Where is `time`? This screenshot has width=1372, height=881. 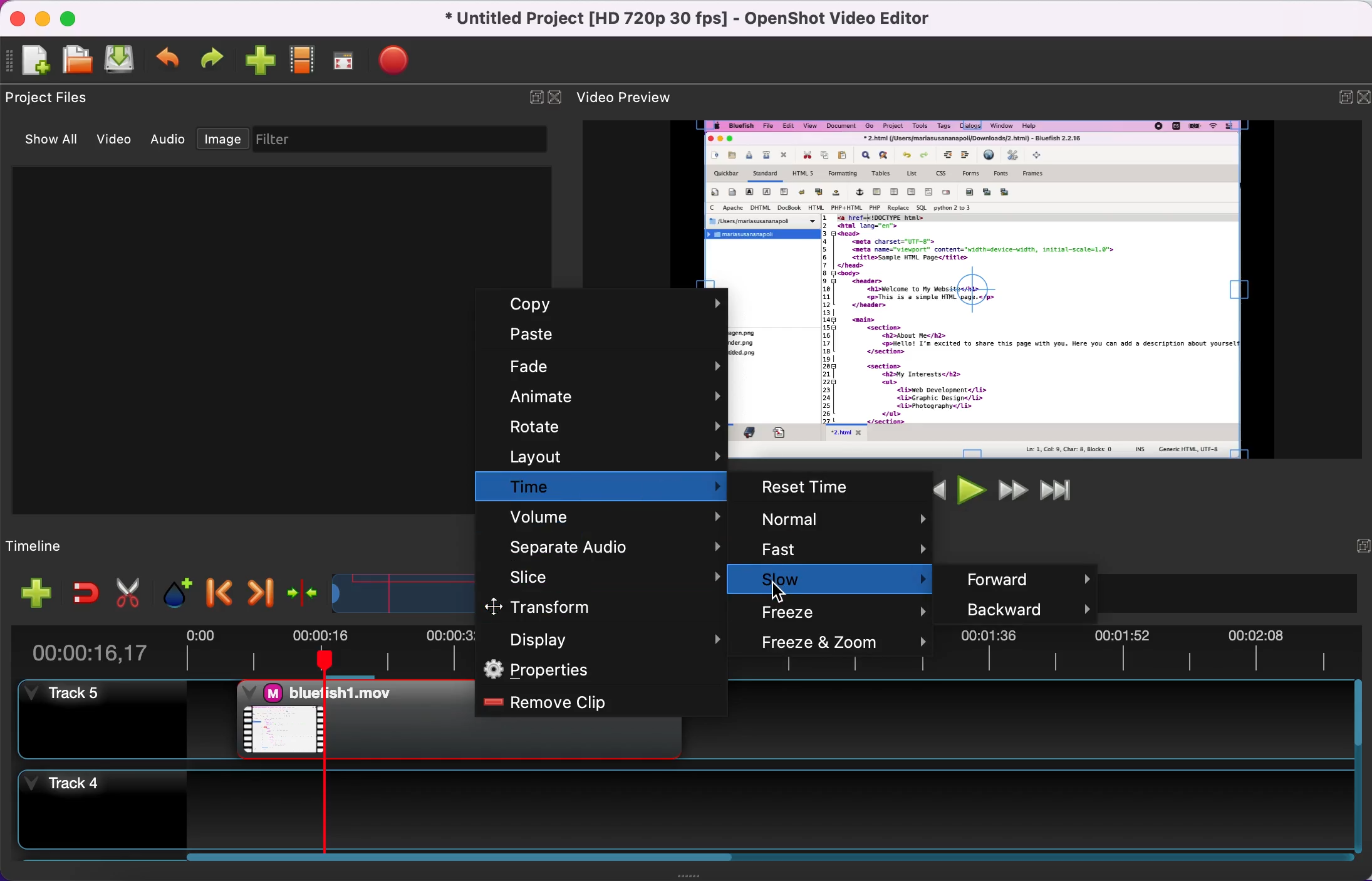
time is located at coordinates (604, 487).